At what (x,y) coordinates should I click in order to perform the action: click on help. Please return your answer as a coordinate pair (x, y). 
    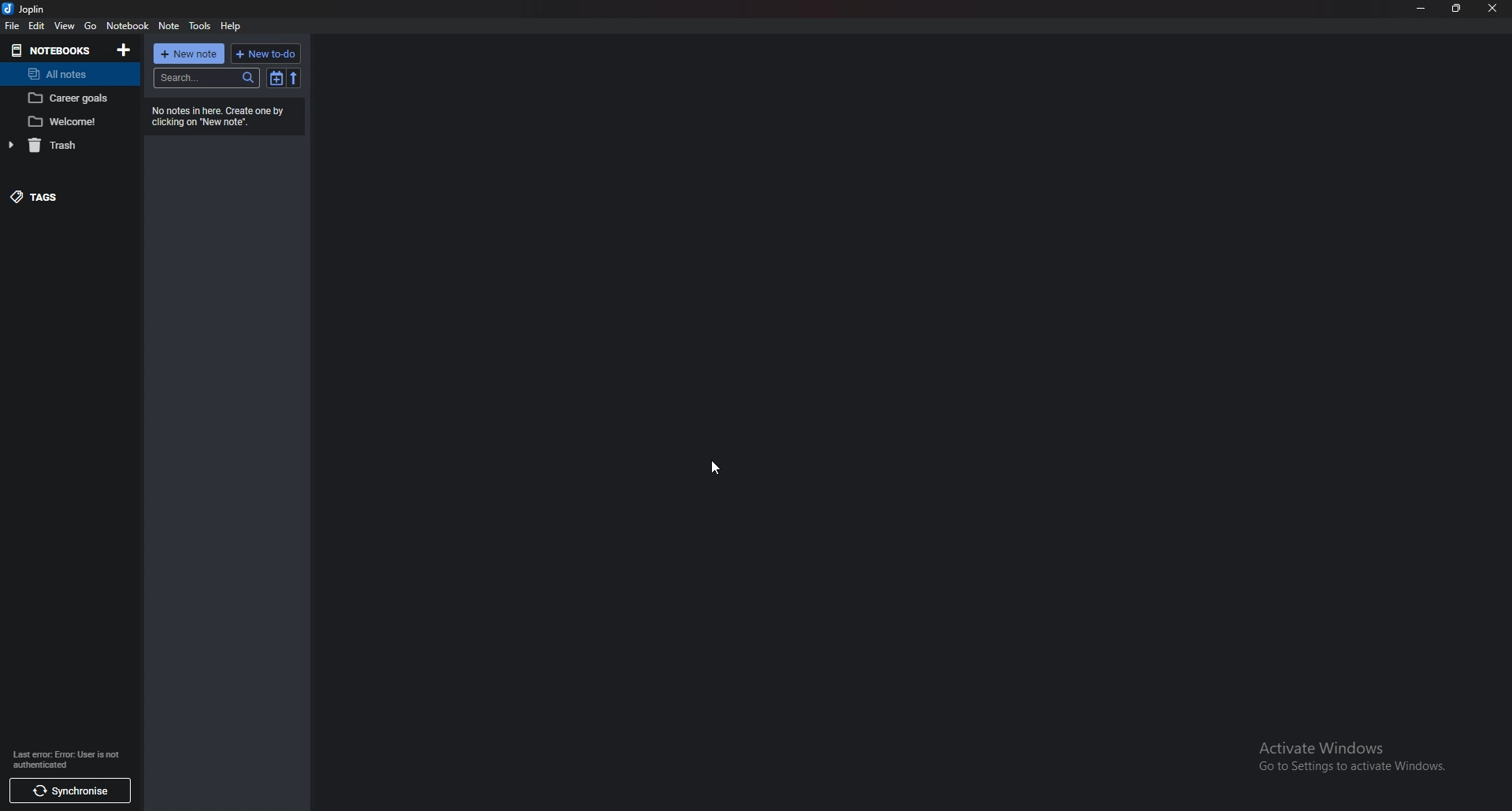
    Looking at the image, I should click on (234, 26).